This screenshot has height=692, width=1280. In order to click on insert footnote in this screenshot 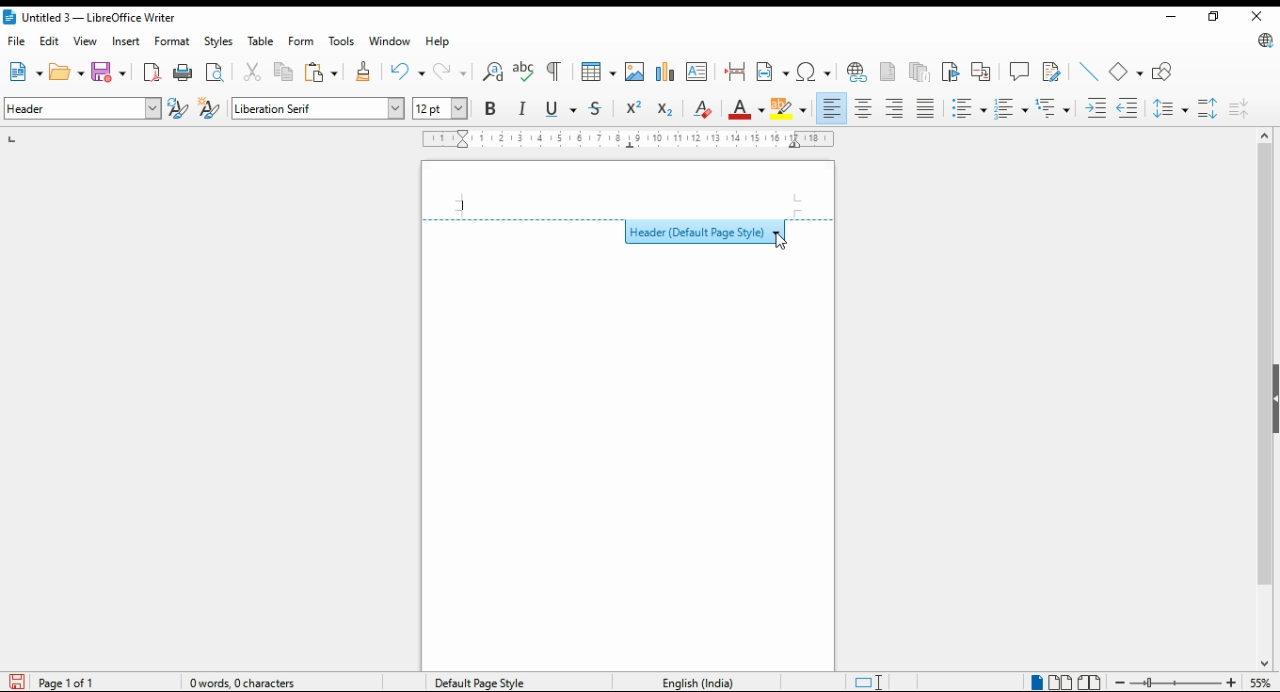, I will do `click(889, 70)`.